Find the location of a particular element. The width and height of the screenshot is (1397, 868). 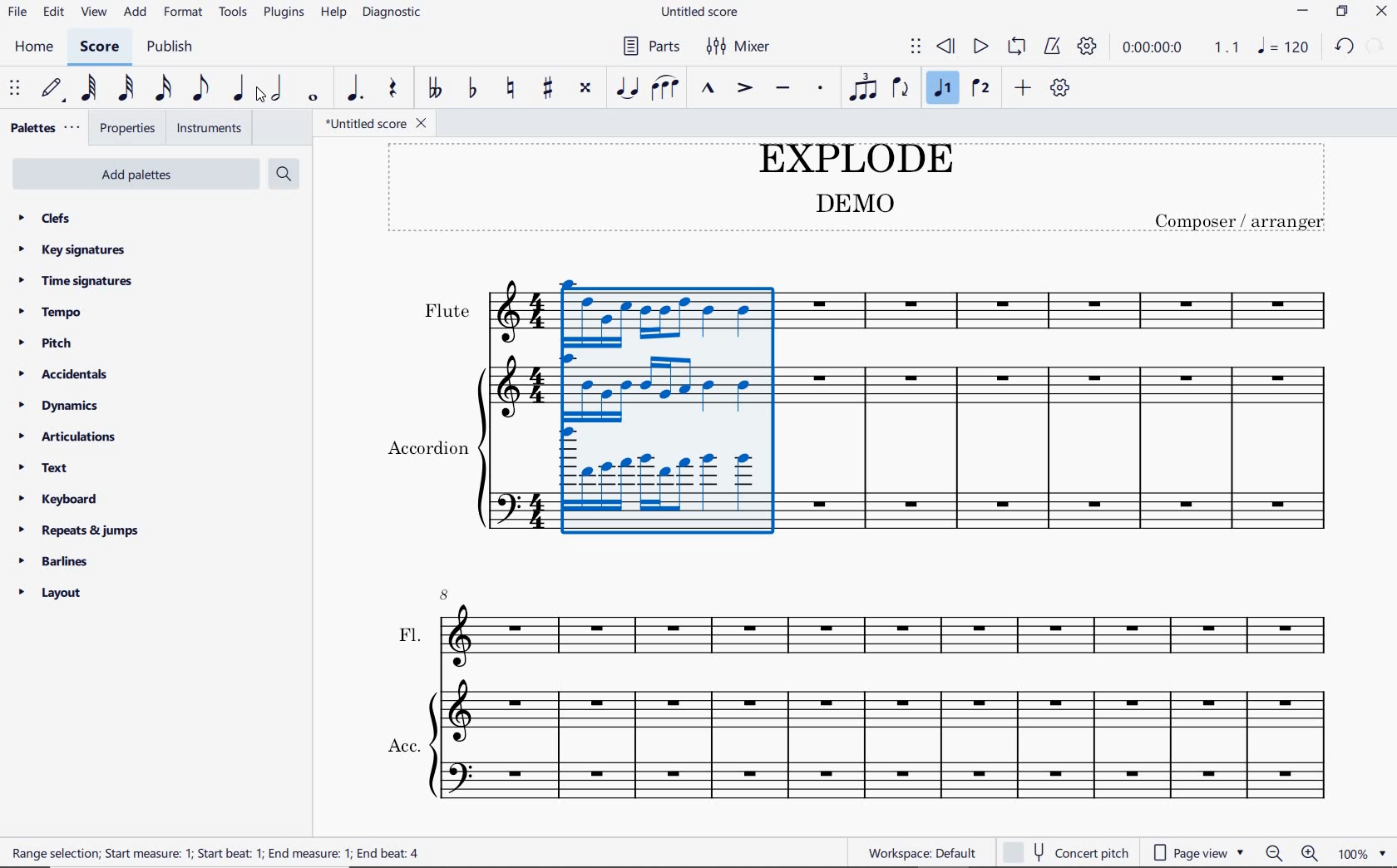

barlines is located at coordinates (57, 562).